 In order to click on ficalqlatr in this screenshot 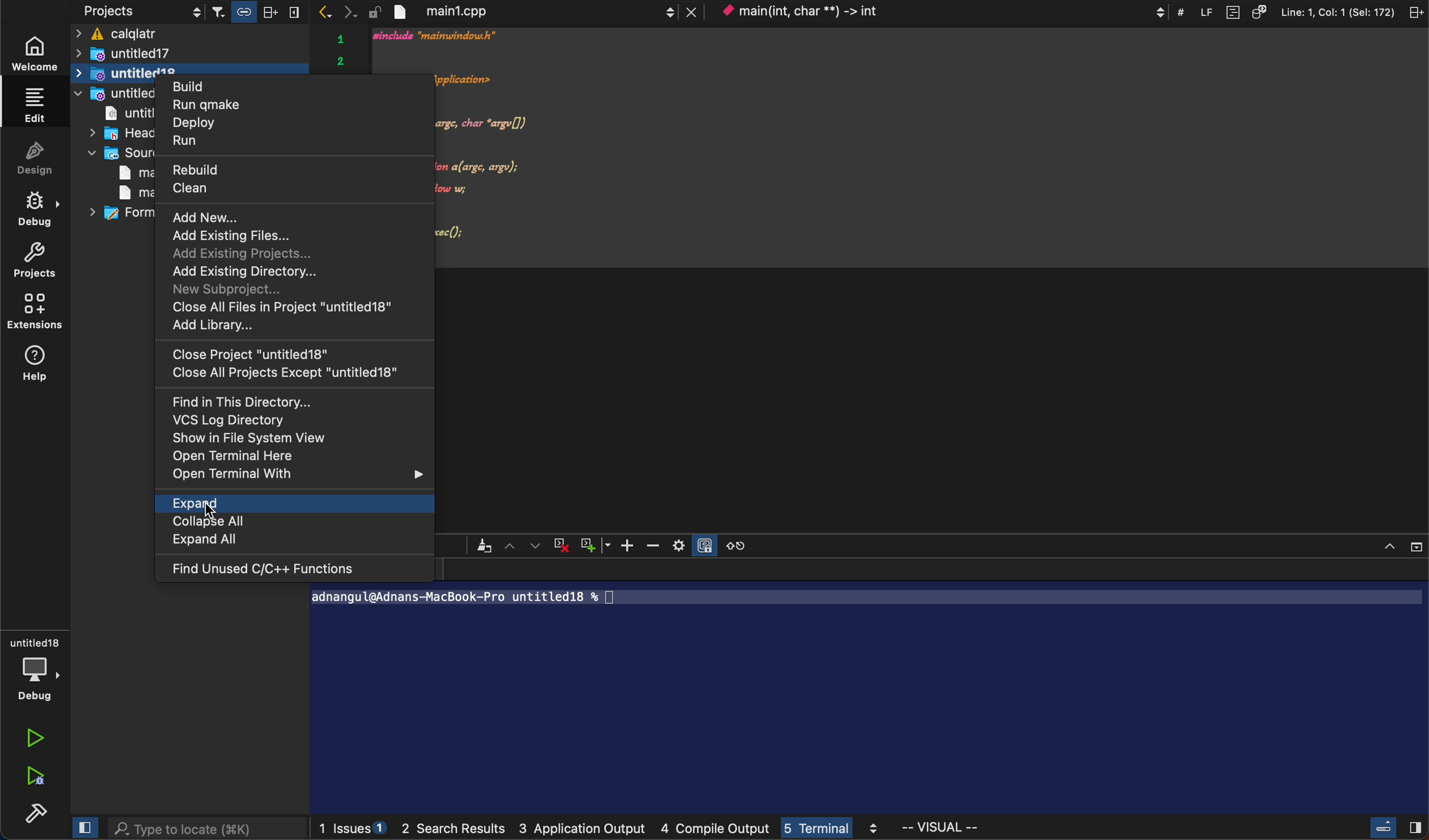, I will do `click(188, 33)`.